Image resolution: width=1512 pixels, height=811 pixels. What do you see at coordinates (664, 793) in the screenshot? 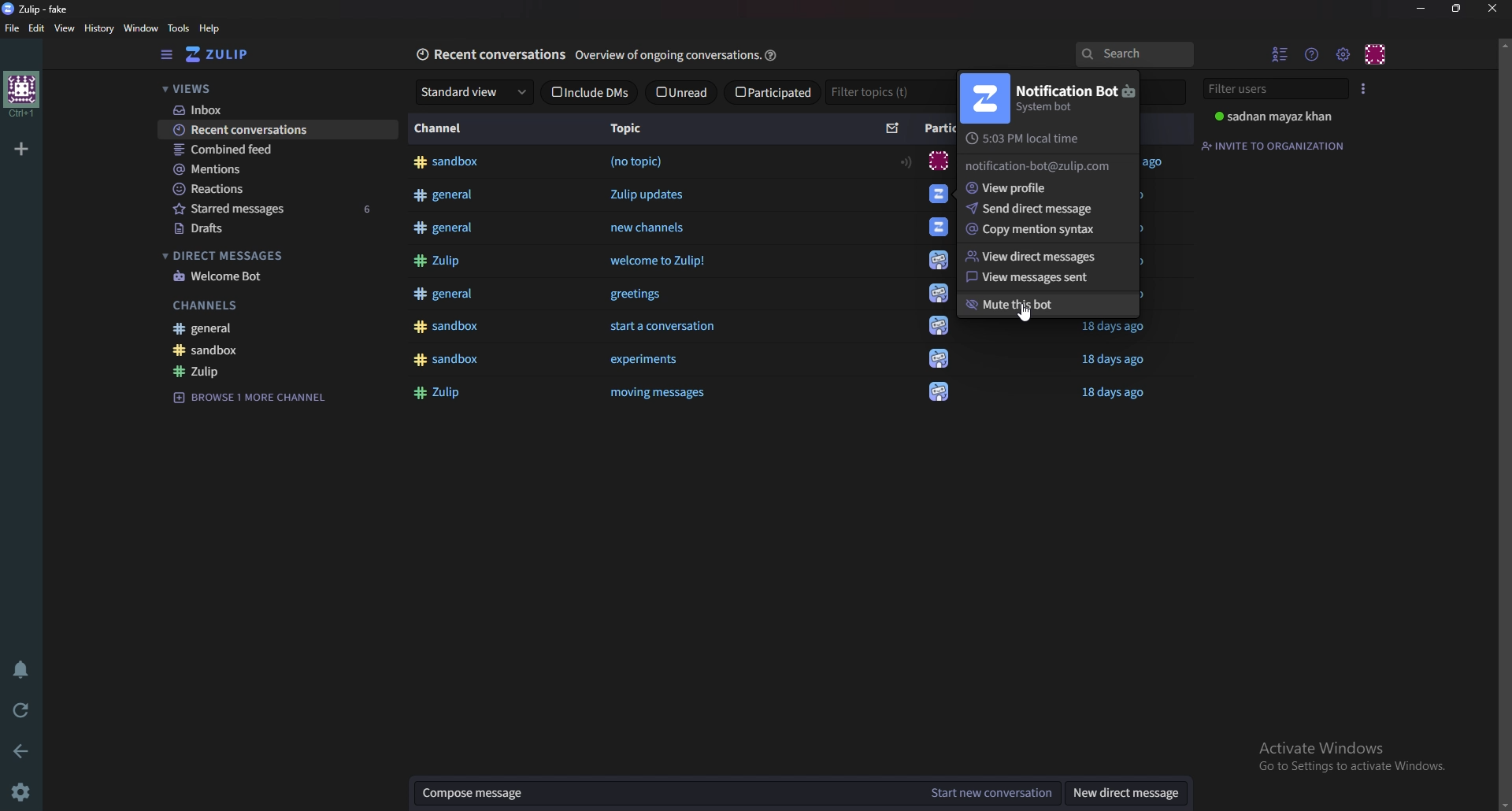
I see `Compose message` at bounding box center [664, 793].